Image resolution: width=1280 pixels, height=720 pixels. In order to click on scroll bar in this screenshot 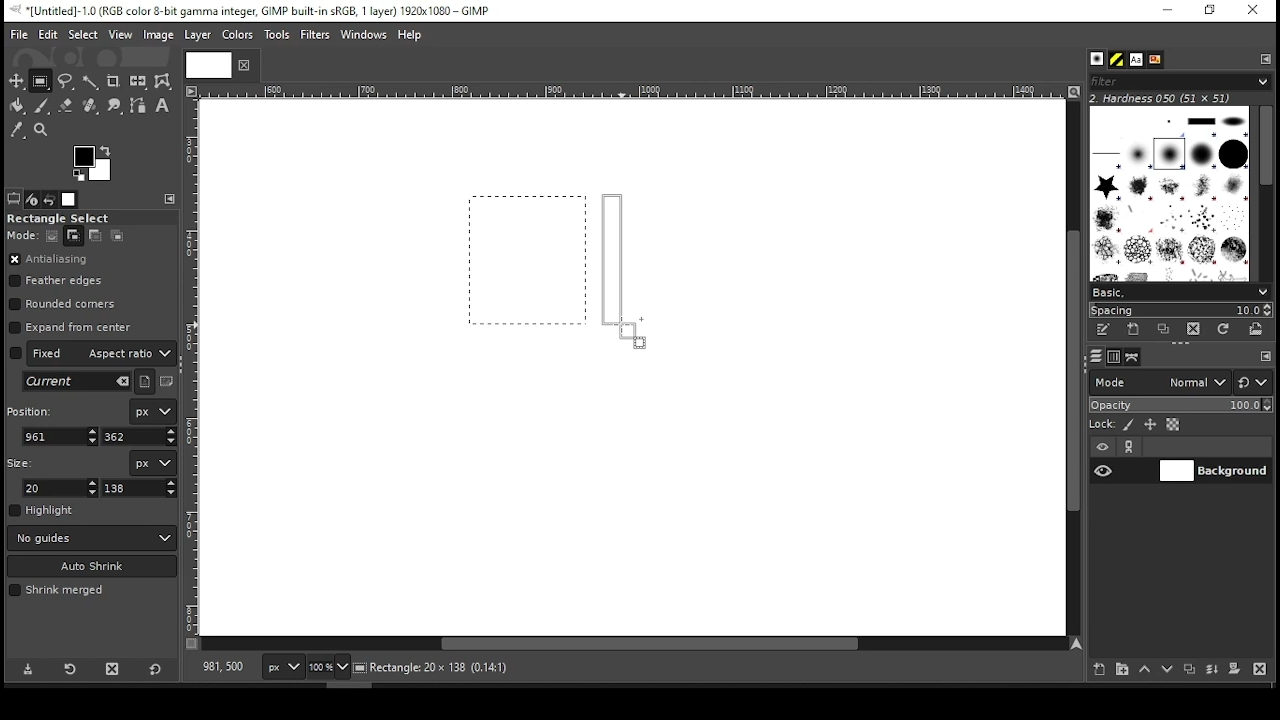, I will do `click(1265, 192)`.